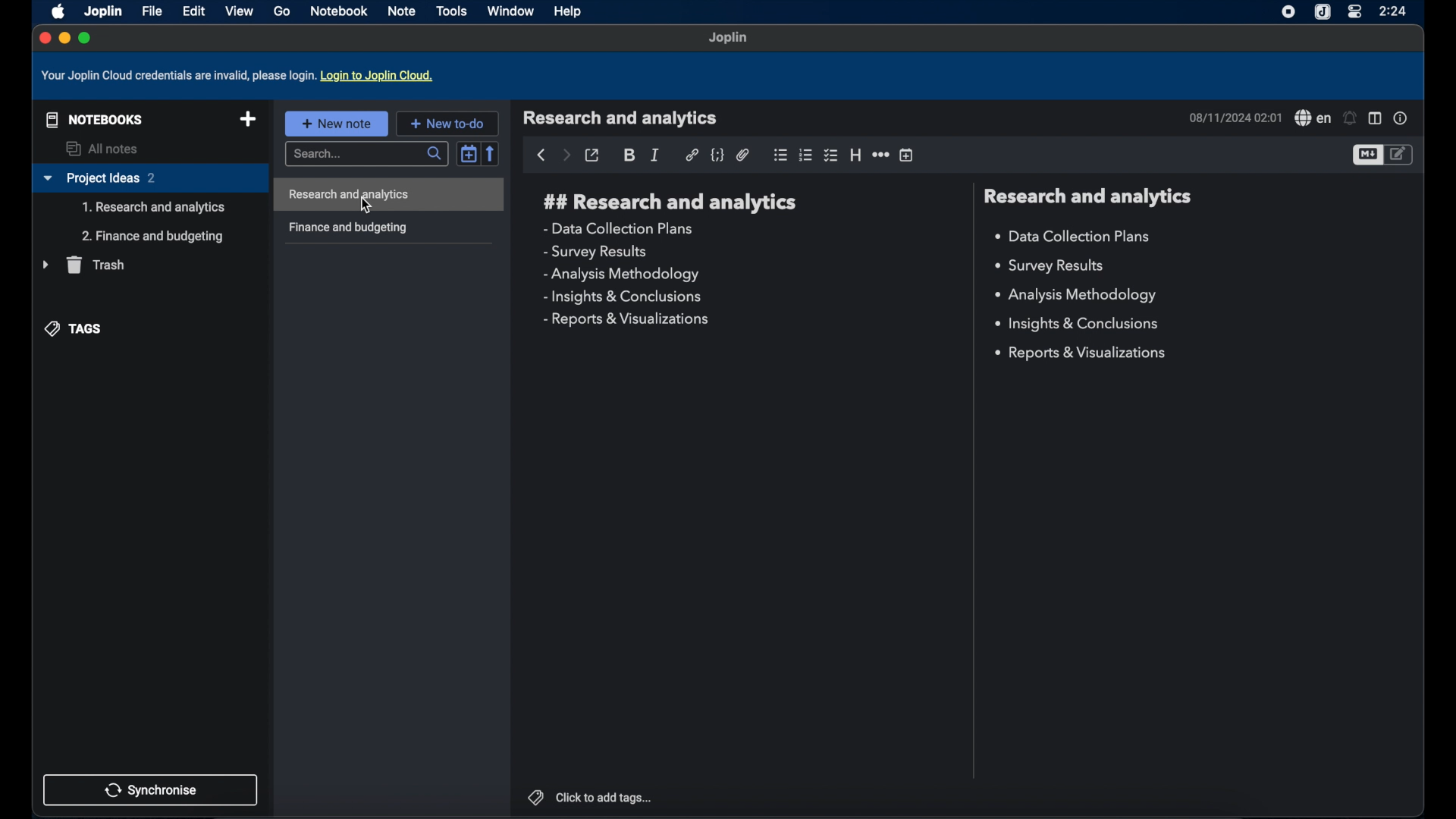  I want to click on note, so click(403, 11).